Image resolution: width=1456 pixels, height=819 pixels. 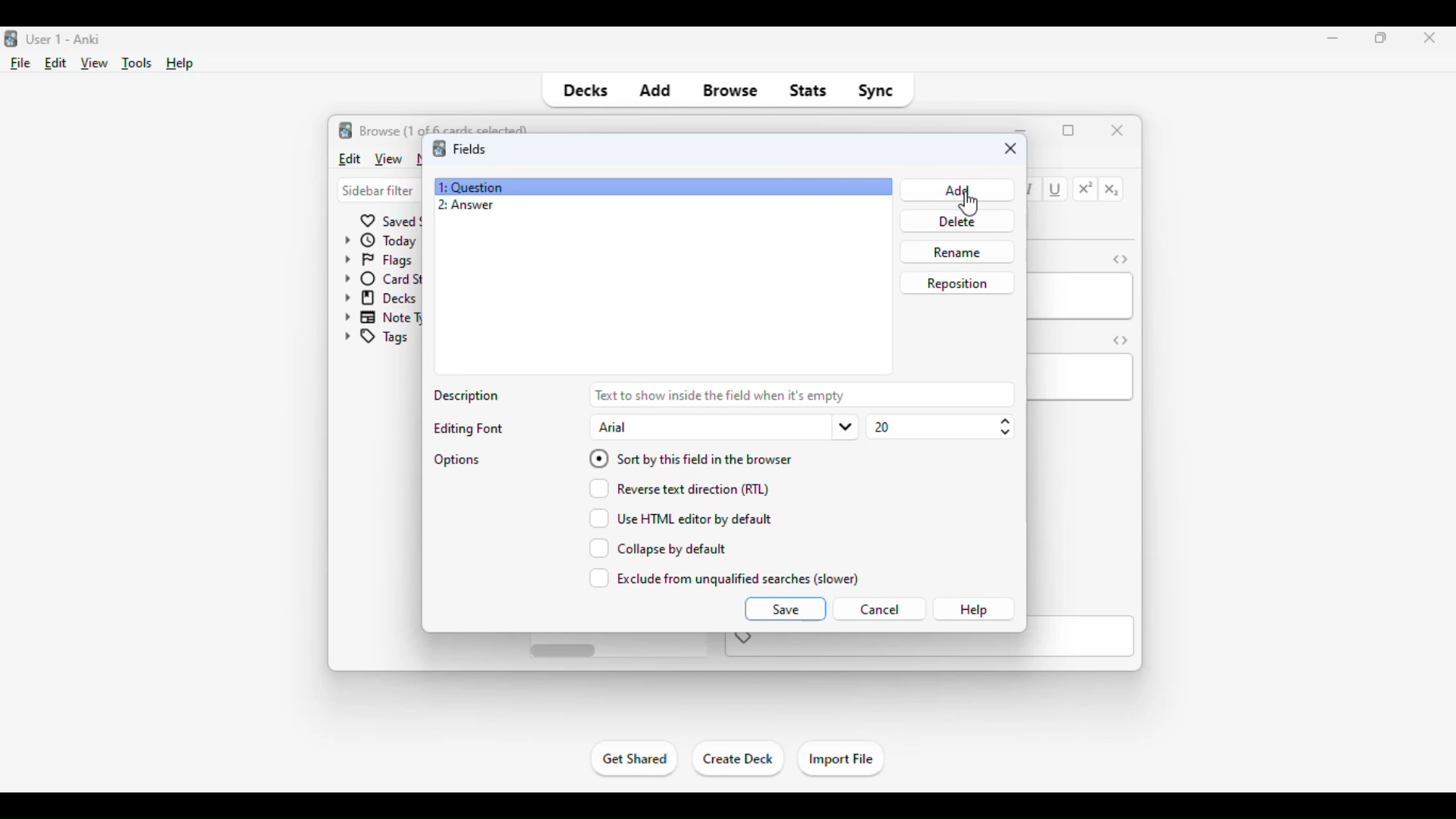 I want to click on decks, so click(x=584, y=91).